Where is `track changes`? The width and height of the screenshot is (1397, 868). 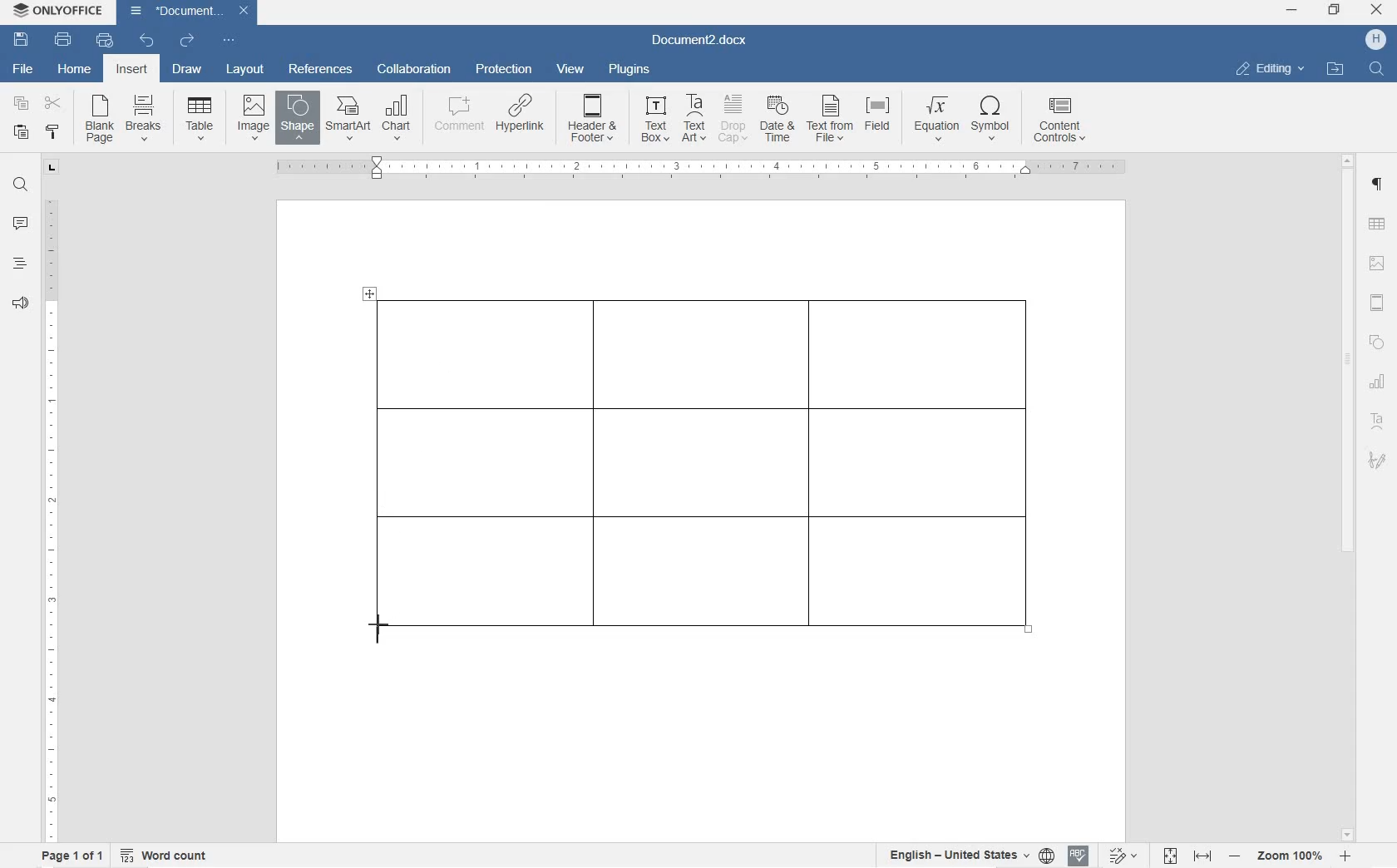
track changes is located at coordinates (1127, 856).